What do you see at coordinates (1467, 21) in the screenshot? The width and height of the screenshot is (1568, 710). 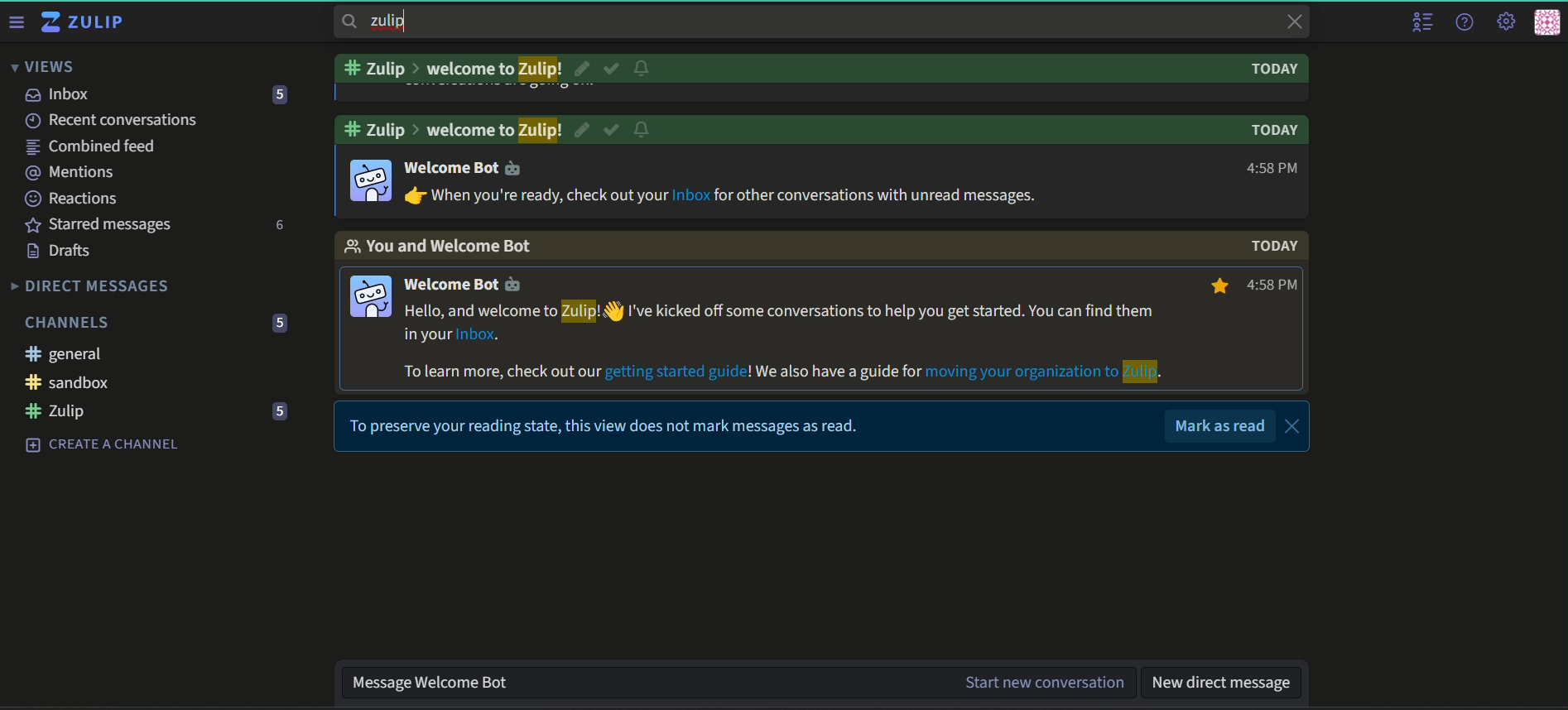 I see `help menu` at bounding box center [1467, 21].